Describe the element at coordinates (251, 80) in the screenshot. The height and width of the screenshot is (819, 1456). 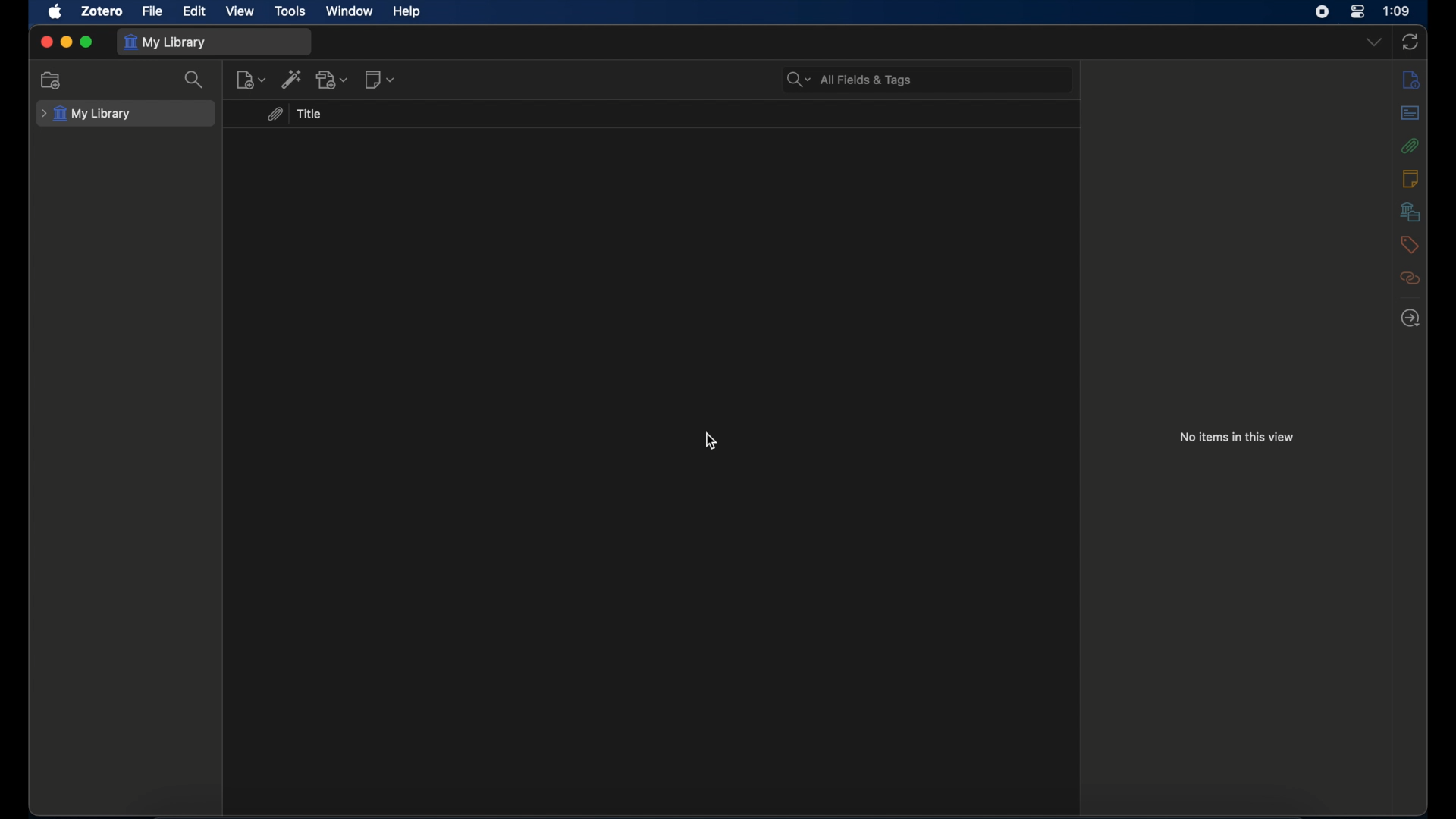
I see `new item` at that location.